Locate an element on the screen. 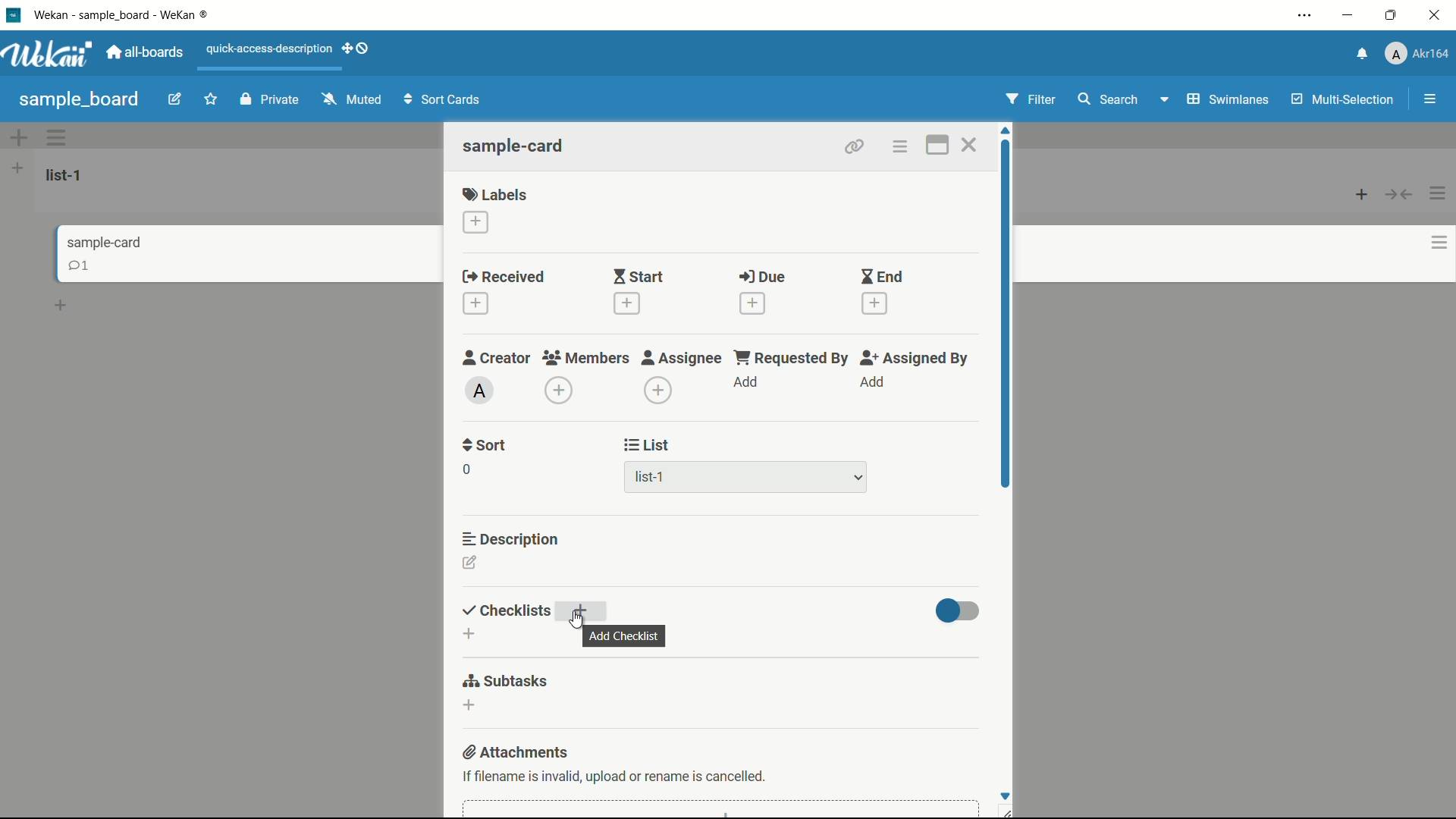 The width and height of the screenshot is (1456, 819). list is located at coordinates (649, 447).